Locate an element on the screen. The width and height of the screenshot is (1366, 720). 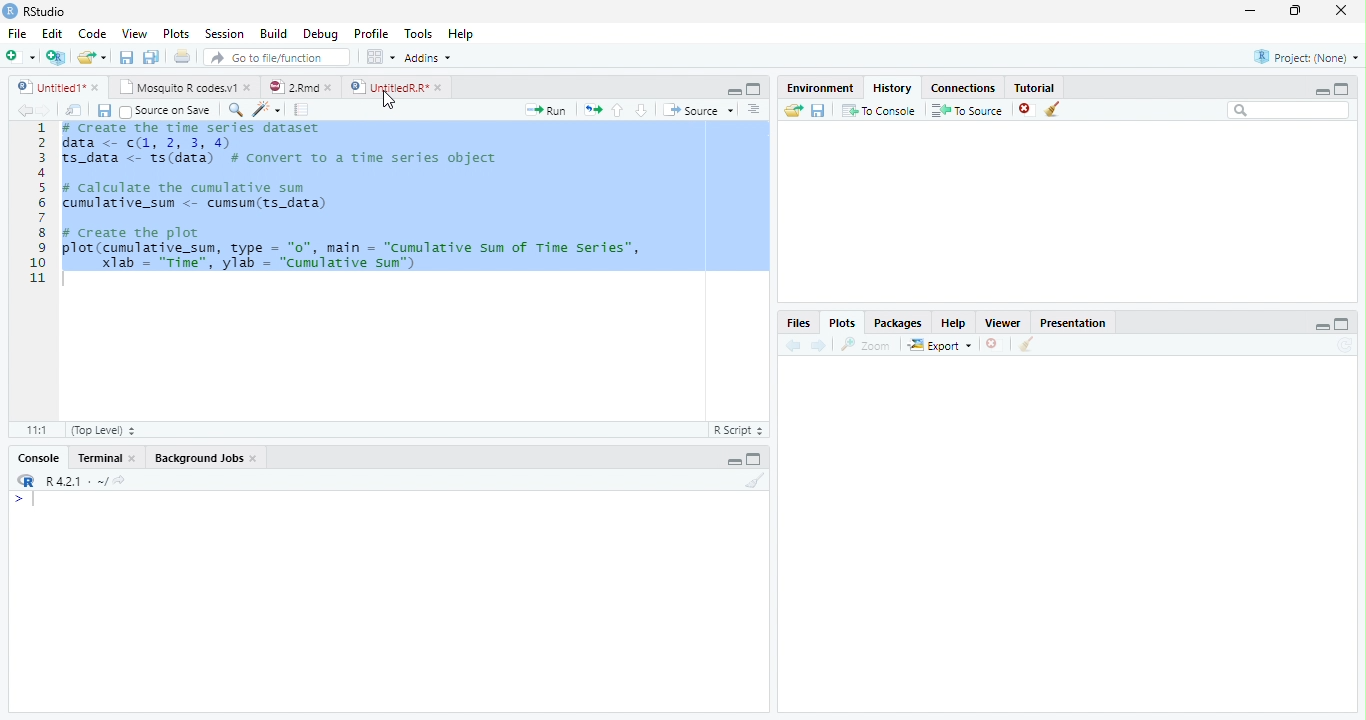
Tools is located at coordinates (418, 35).